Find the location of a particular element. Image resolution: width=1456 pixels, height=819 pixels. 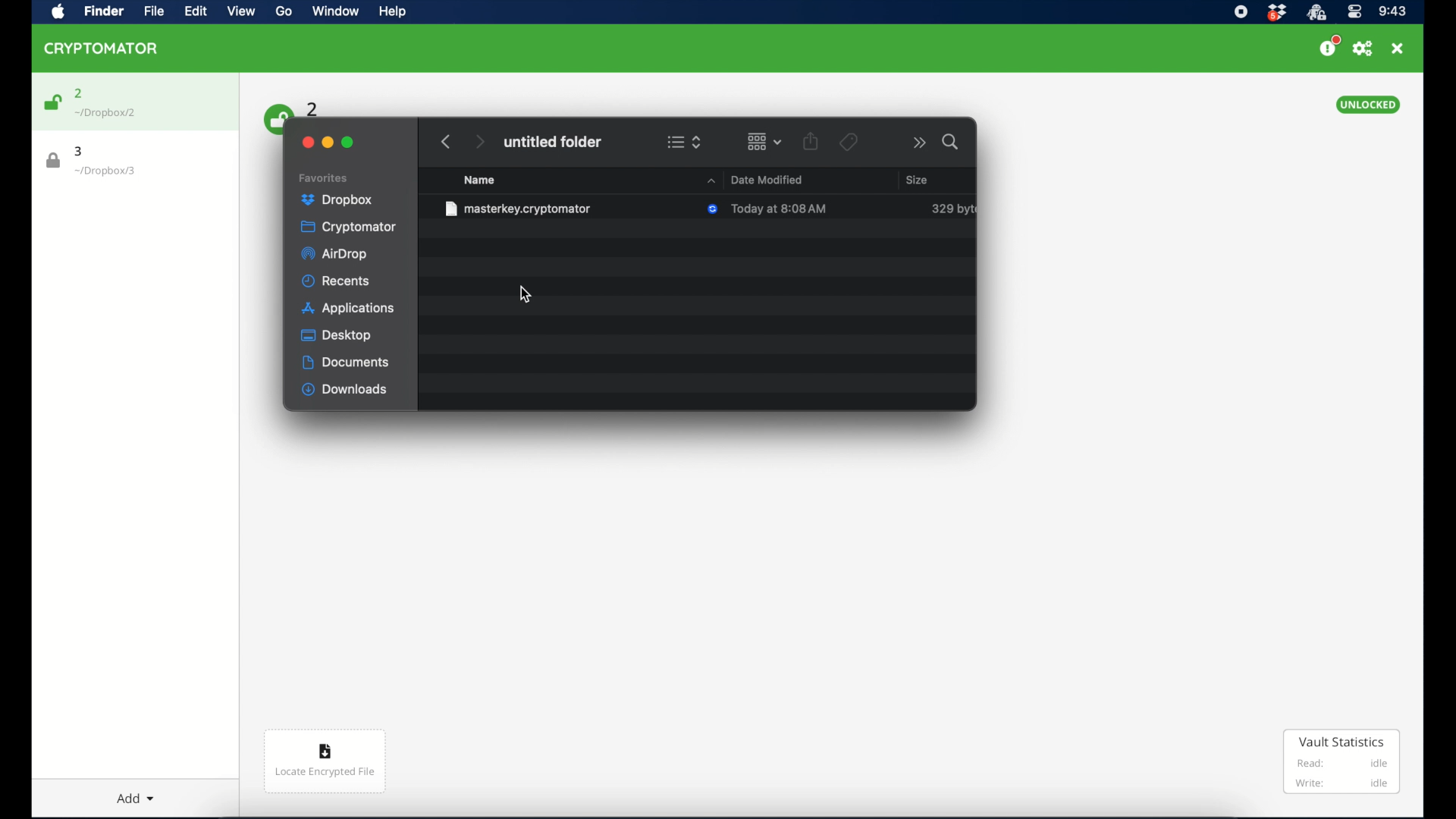

help is located at coordinates (391, 11).